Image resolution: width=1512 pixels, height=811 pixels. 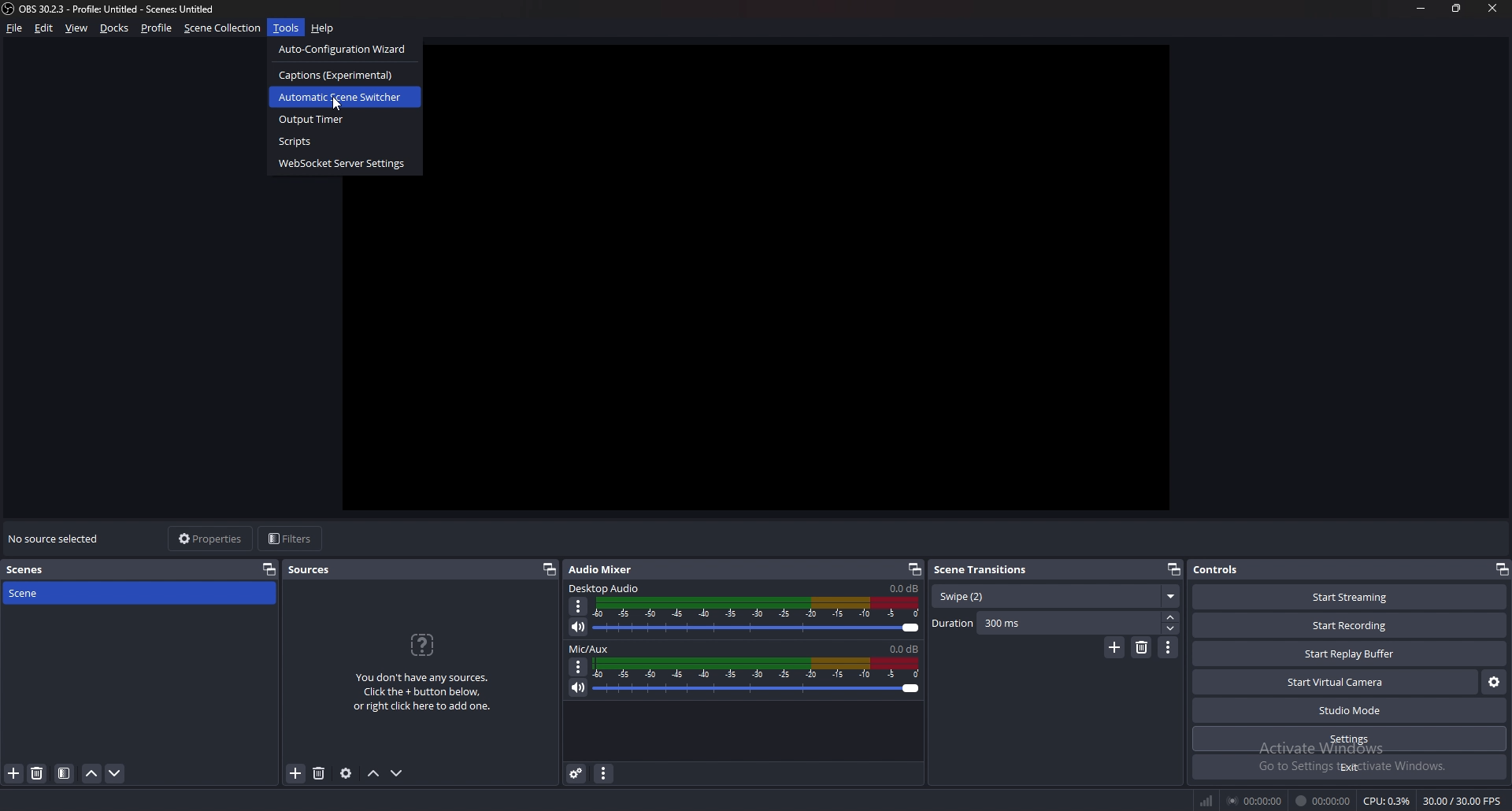 I want to click on scenes, so click(x=39, y=570).